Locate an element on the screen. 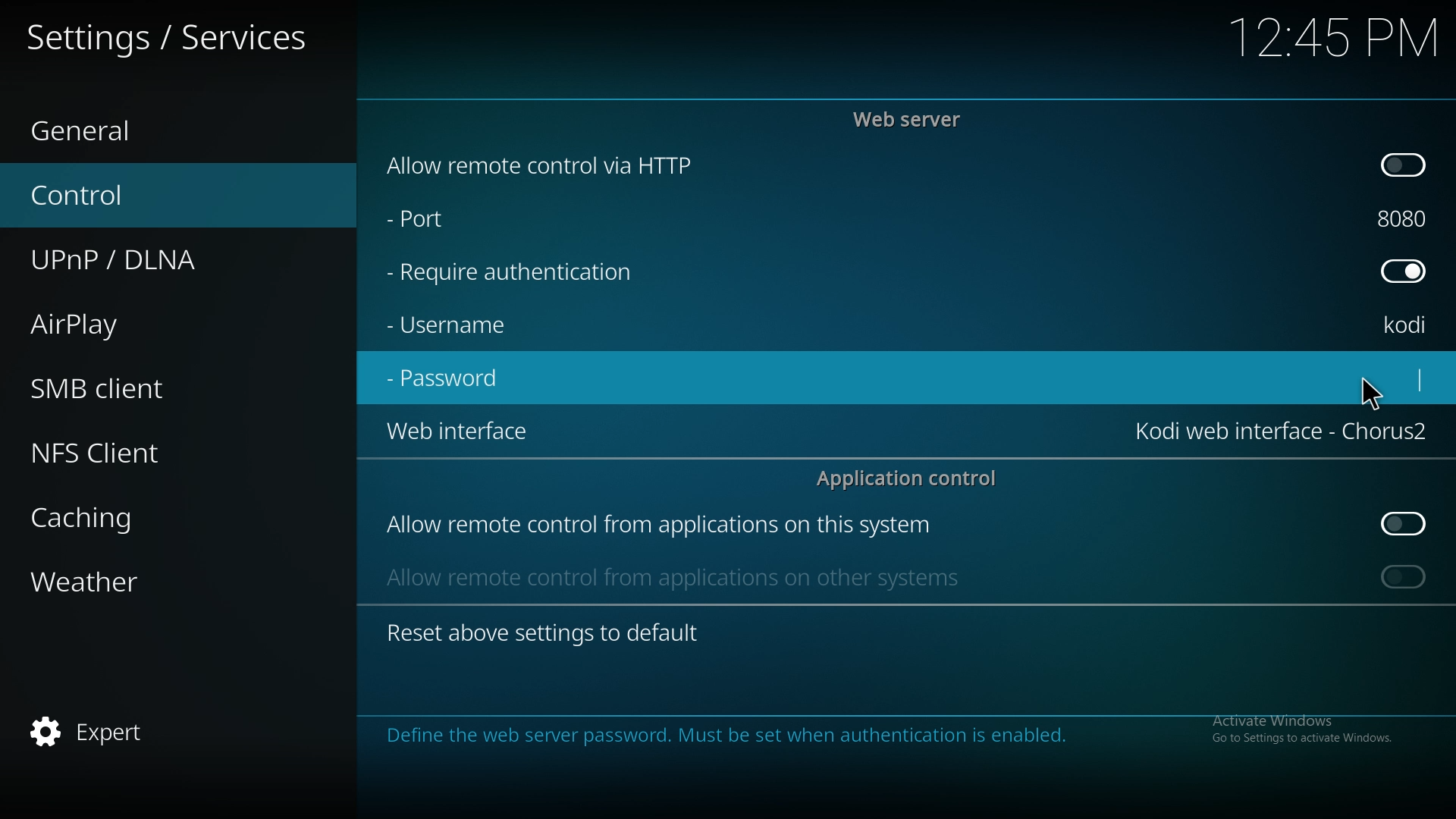  airplay is located at coordinates (130, 322).